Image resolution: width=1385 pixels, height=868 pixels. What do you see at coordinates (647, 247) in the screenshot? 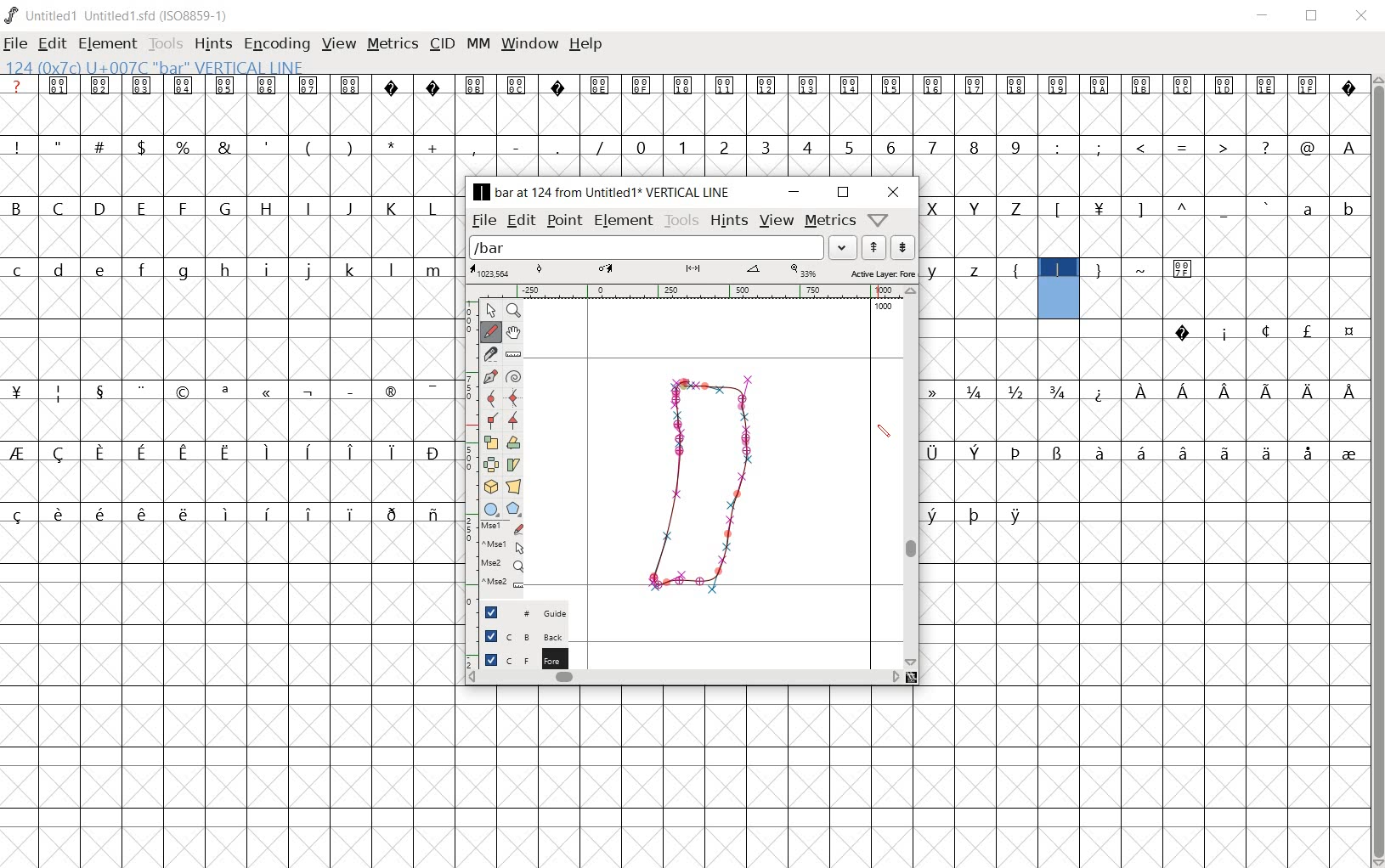
I see `load word list` at bounding box center [647, 247].